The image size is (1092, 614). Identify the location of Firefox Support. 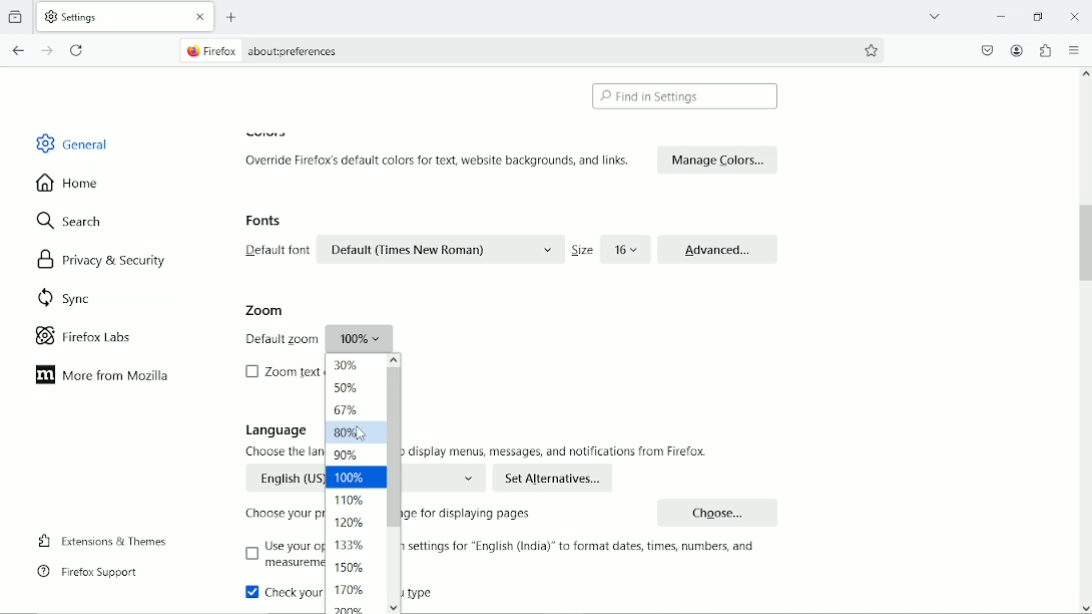
(91, 572).